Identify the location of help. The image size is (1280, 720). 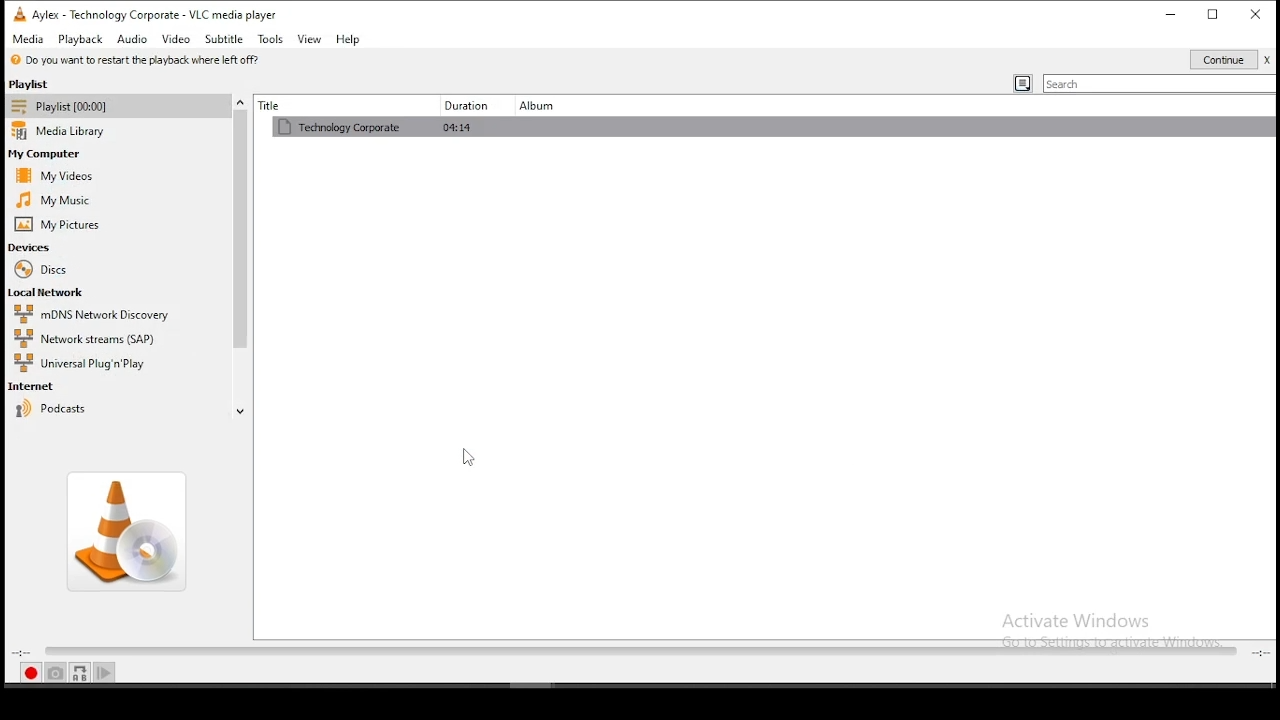
(347, 40).